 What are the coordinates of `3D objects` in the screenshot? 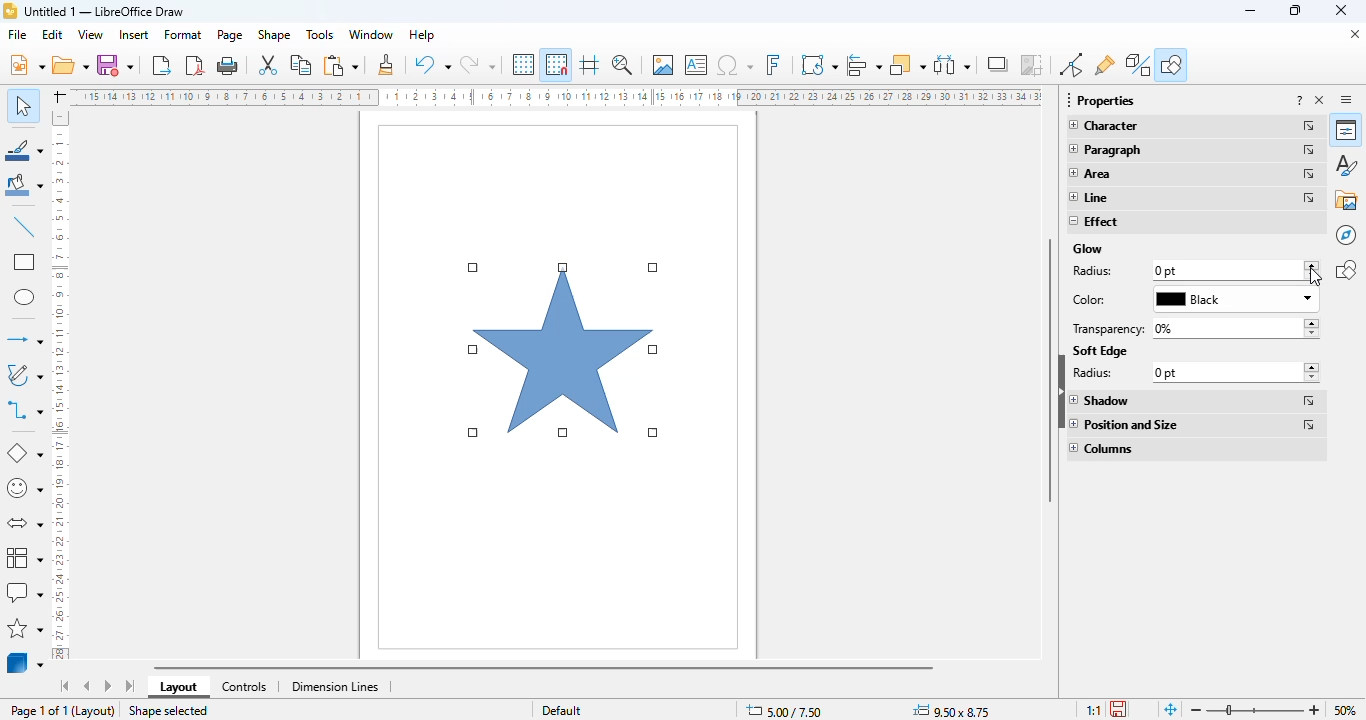 It's located at (25, 663).